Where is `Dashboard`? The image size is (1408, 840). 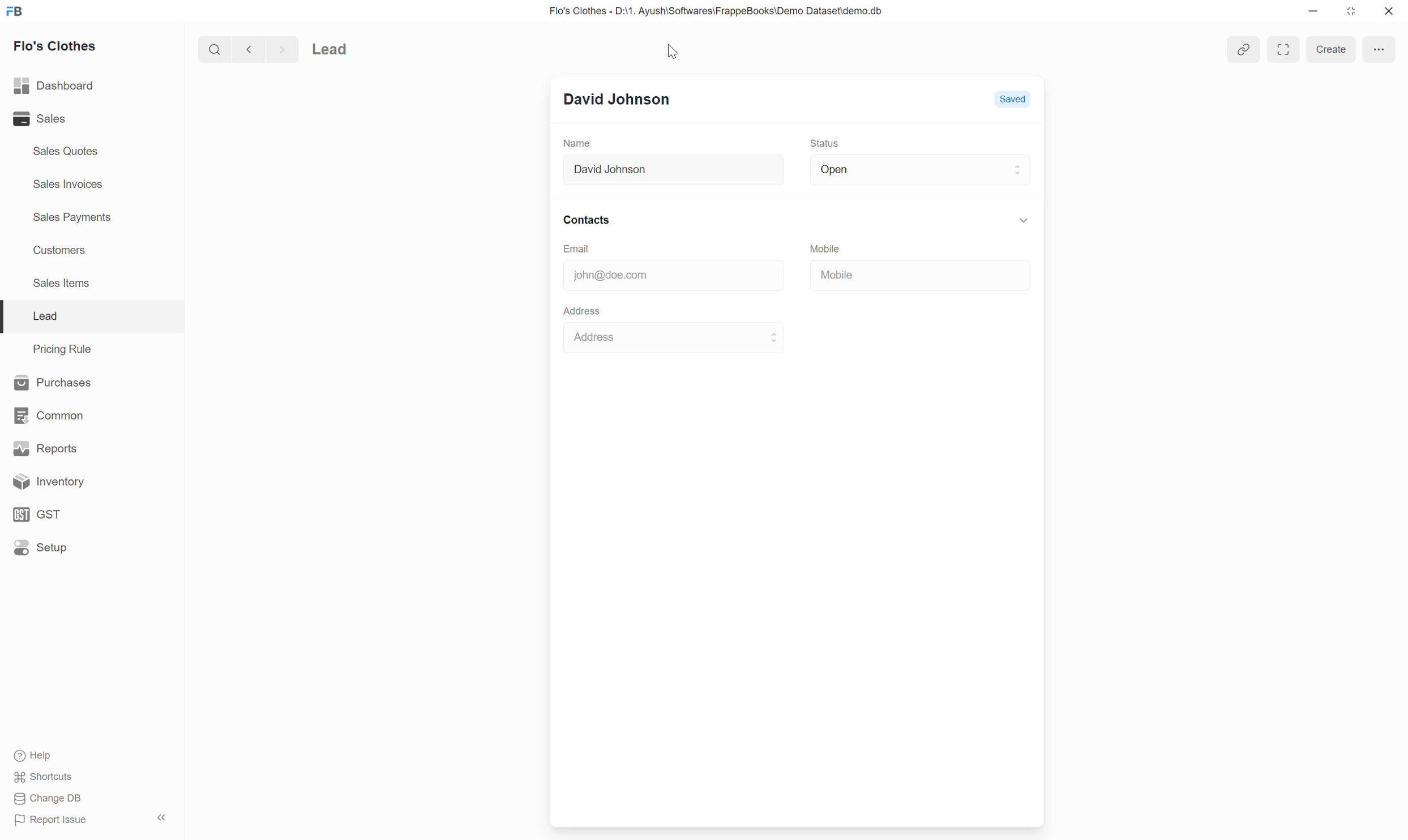
Dashboard is located at coordinates (54, 87).